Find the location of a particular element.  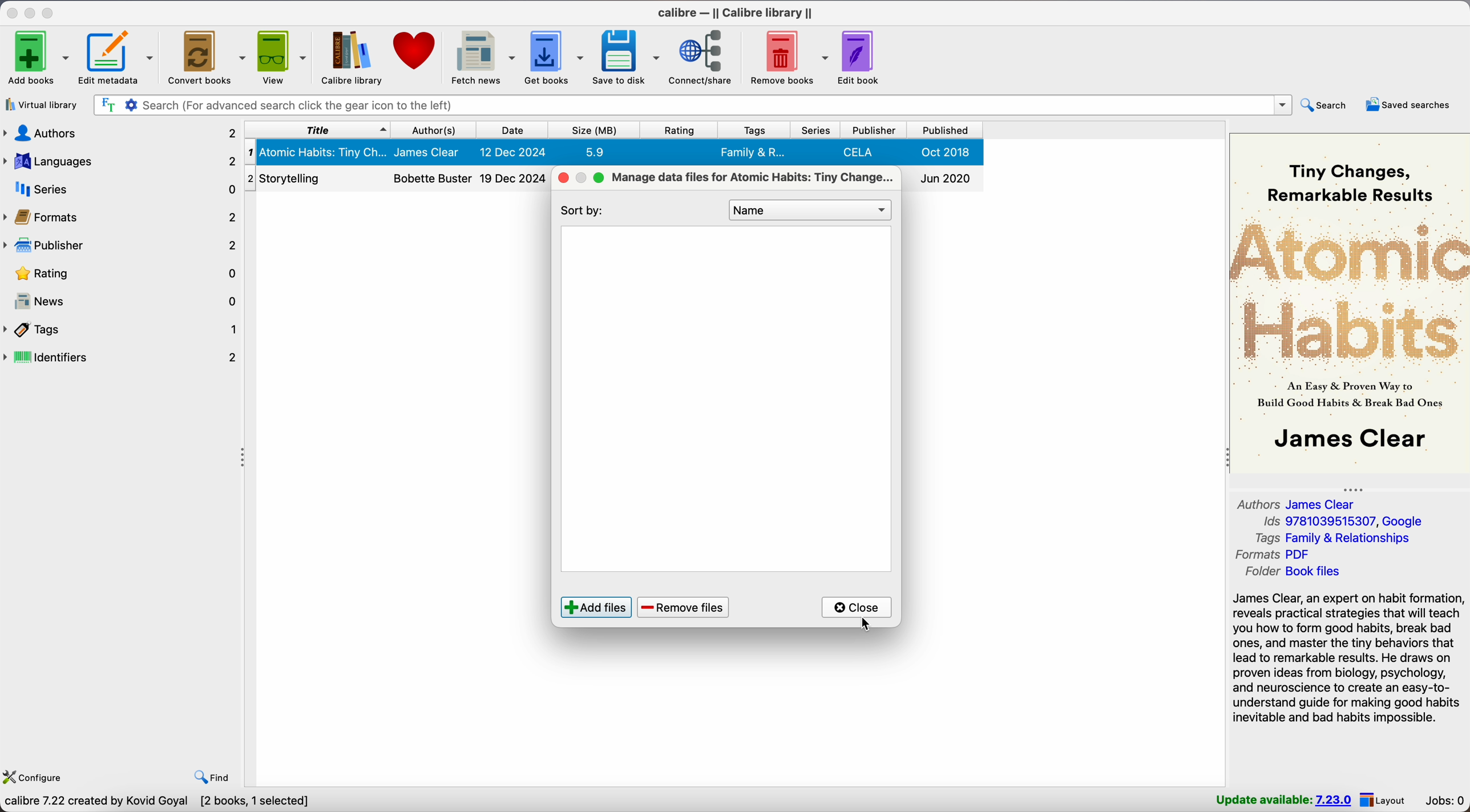

title is located at coordinates (317, 129).